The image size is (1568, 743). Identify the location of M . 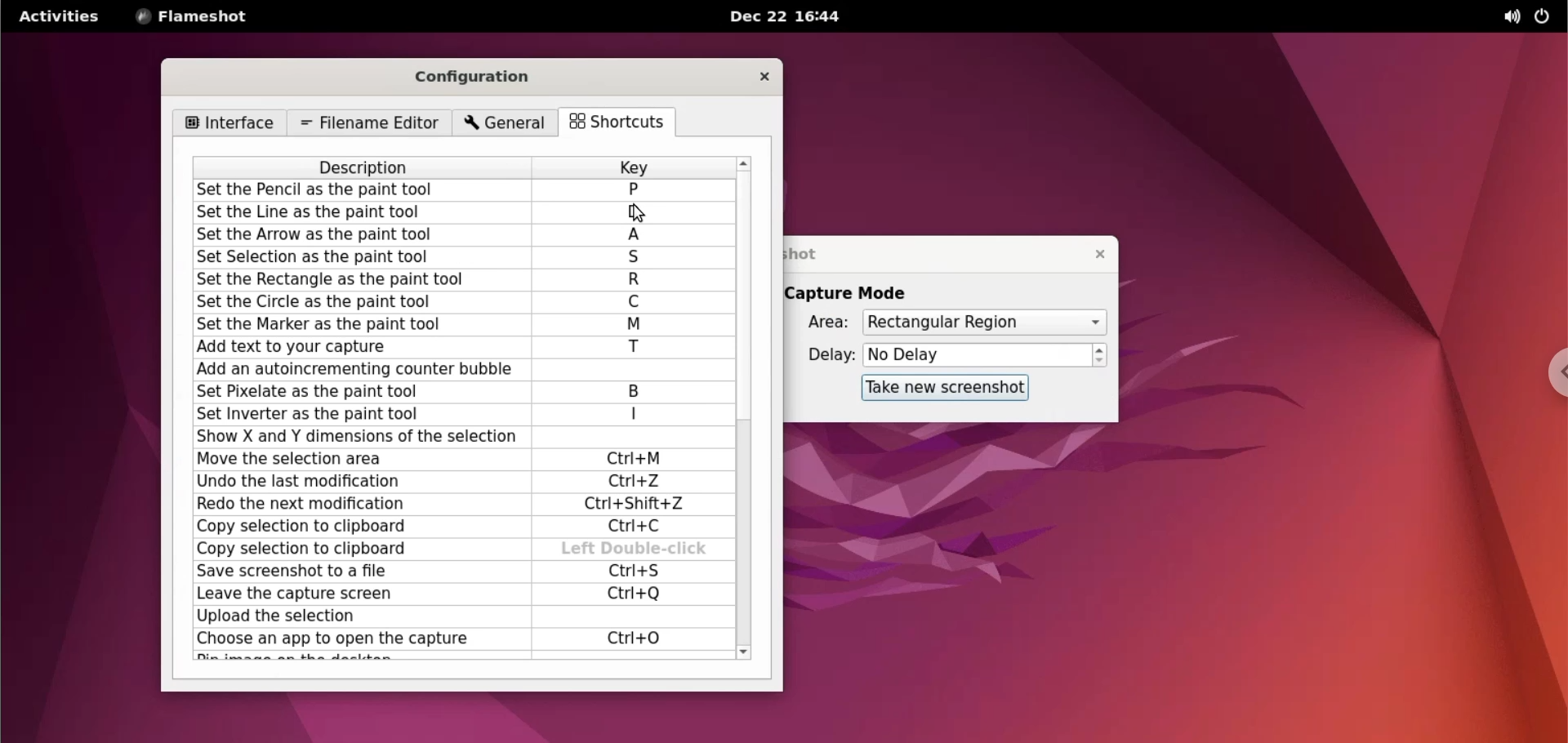
(635, 325).